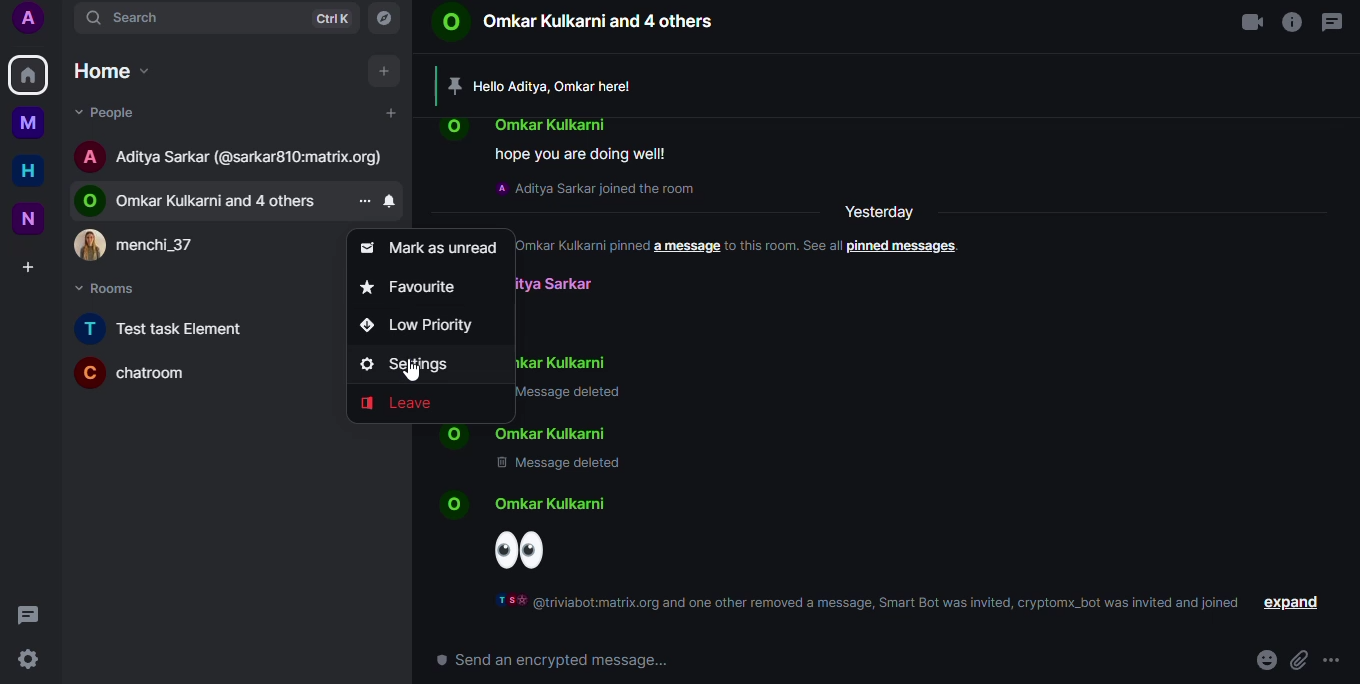 This screenshot has height=684, width=1360. I want to click on leave, so click(407, 405).